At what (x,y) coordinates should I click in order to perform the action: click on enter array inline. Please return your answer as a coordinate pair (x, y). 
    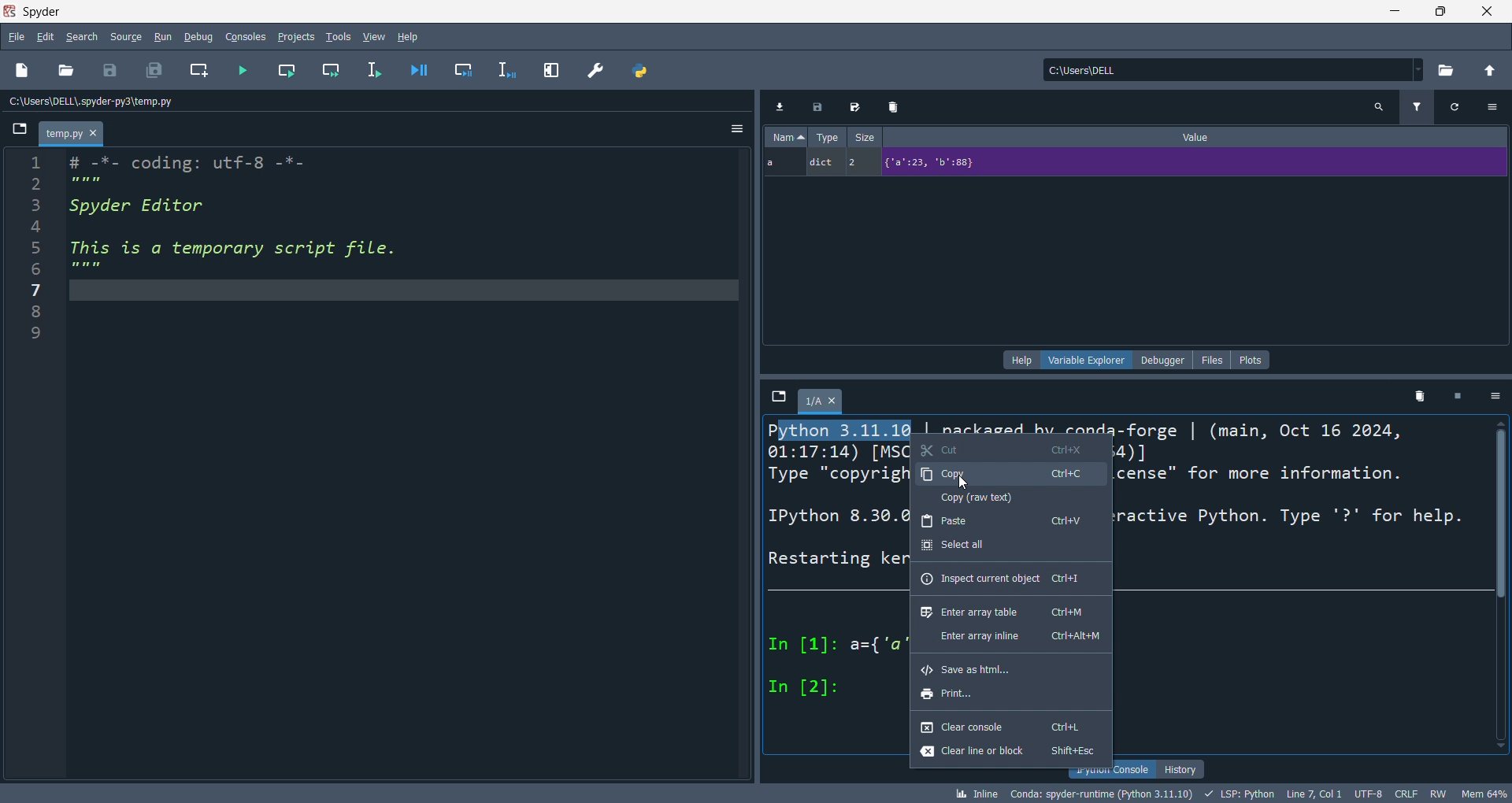
    Looking at the image, I should click on (1009, 637).